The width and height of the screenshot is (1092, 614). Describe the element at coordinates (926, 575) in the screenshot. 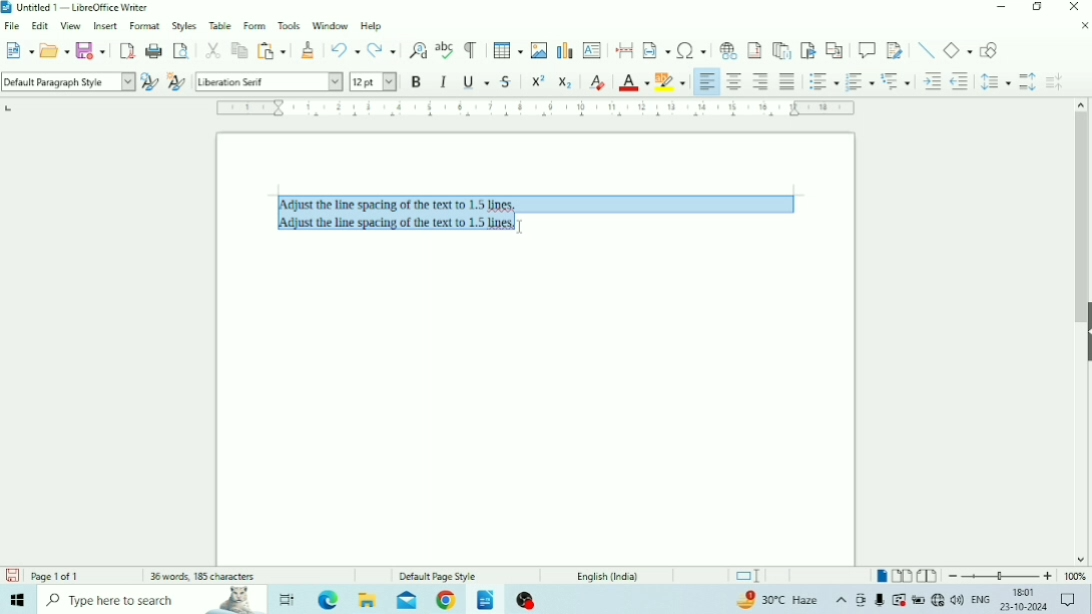

I see `Book view` at that location.